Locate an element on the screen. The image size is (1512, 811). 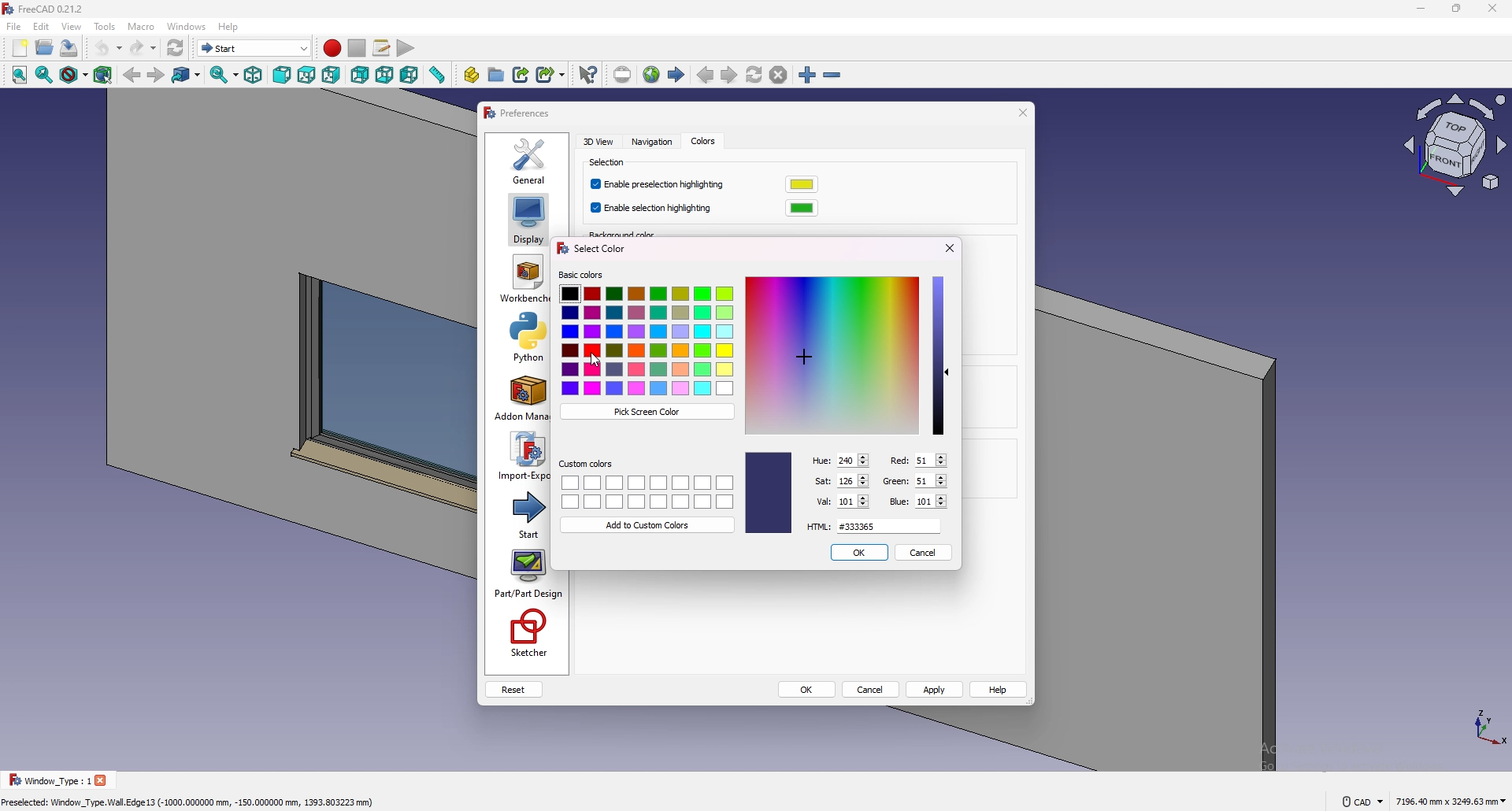
FreeCAD 0.21.2 is located at coordinates (55, 9).